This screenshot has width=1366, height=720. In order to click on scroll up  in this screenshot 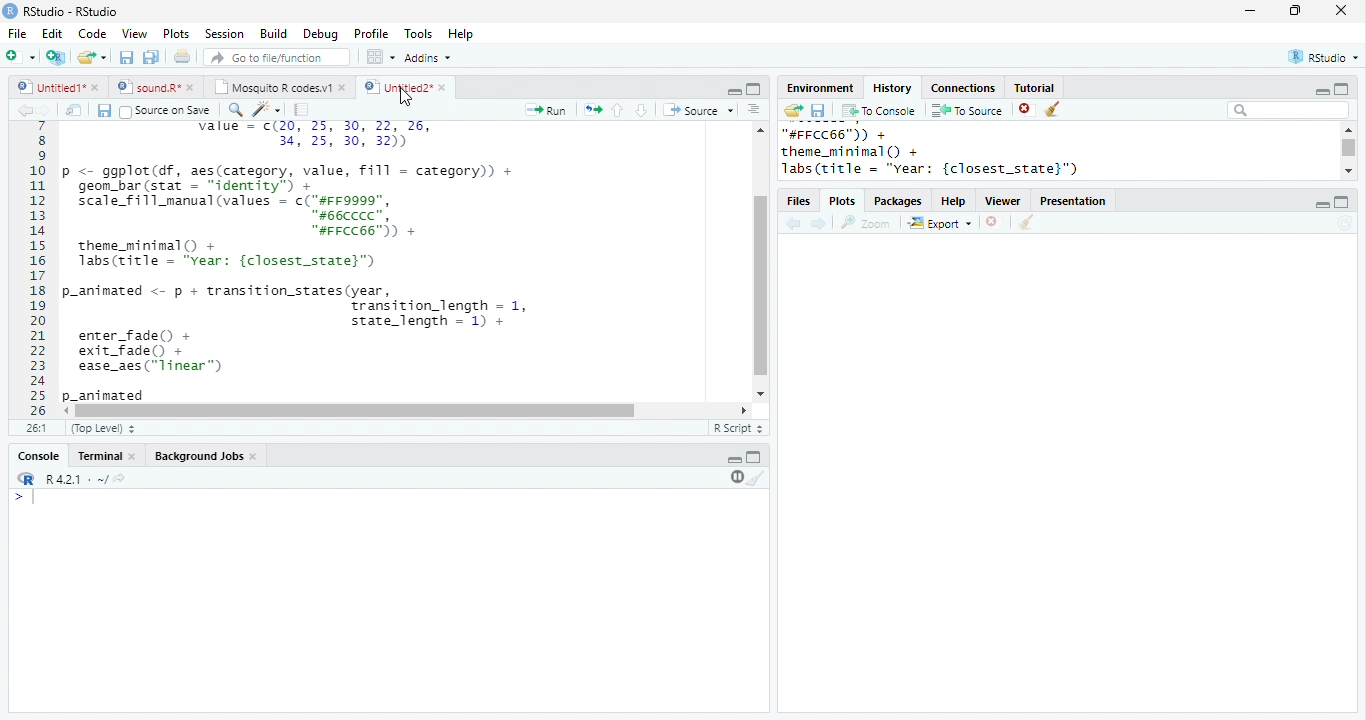, I will do `click(761, 129)`.